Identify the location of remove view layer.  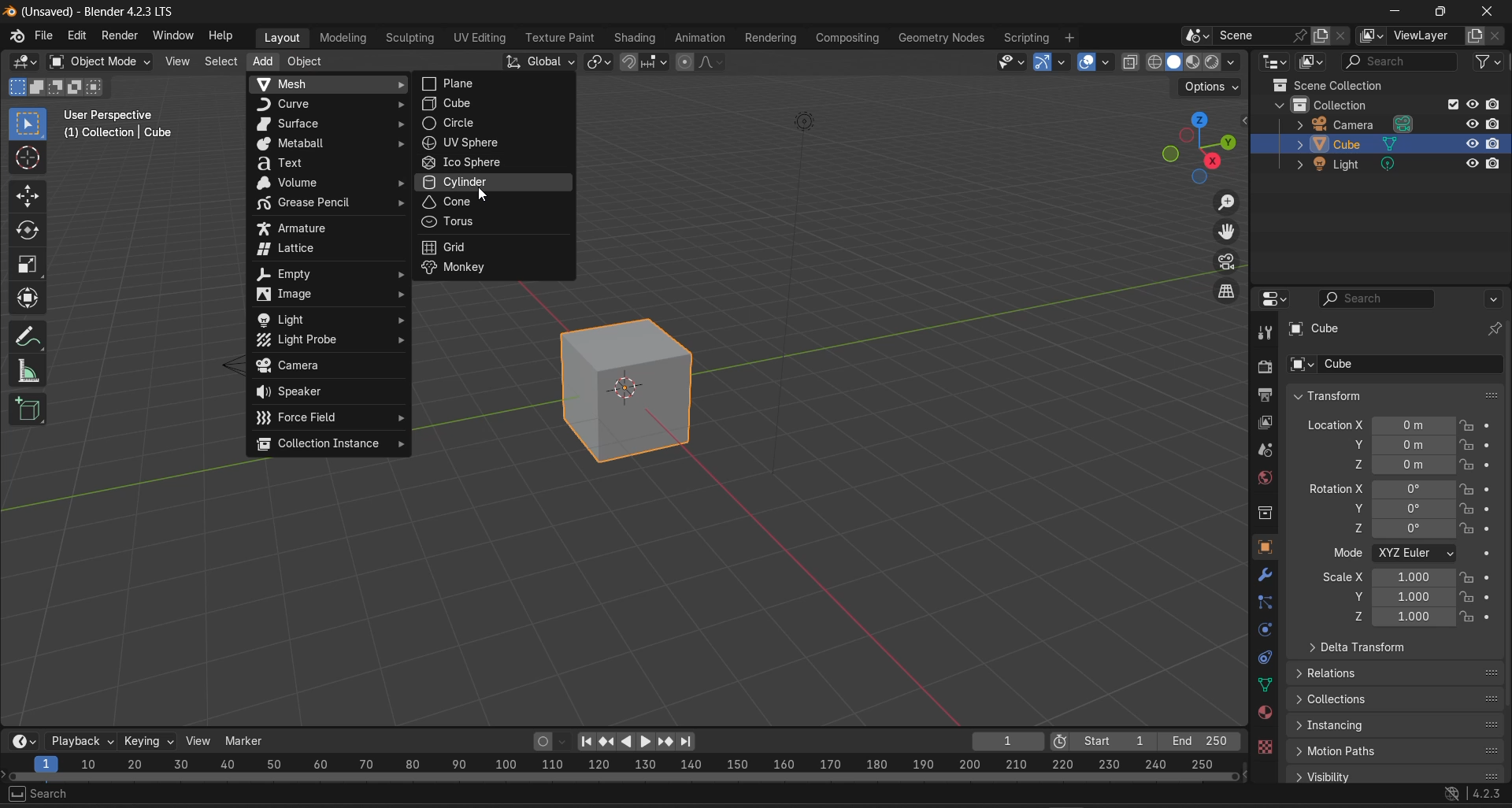
(1496, 37).